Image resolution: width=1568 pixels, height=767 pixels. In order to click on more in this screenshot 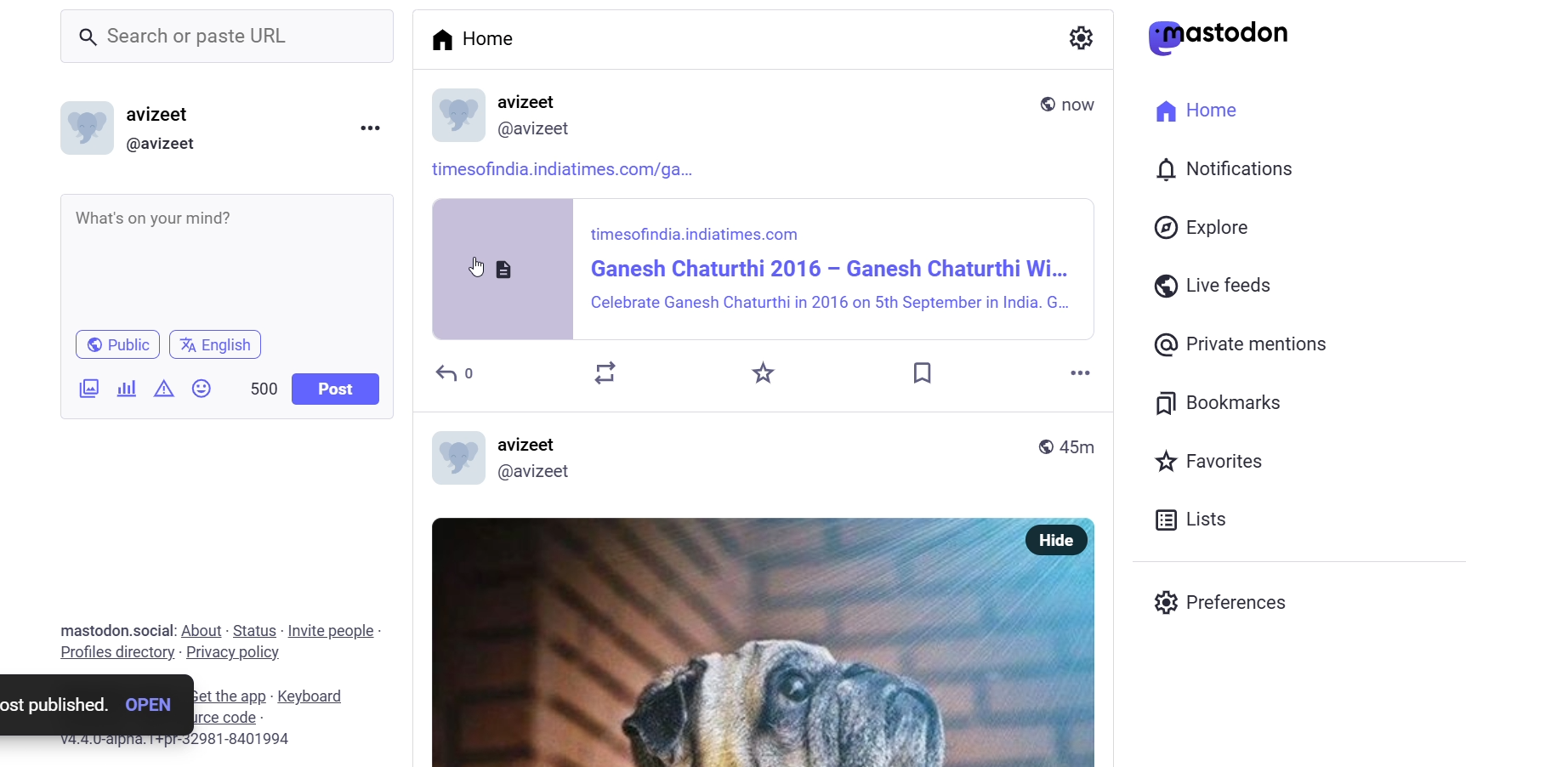, I will do `click(1082, 378)`.